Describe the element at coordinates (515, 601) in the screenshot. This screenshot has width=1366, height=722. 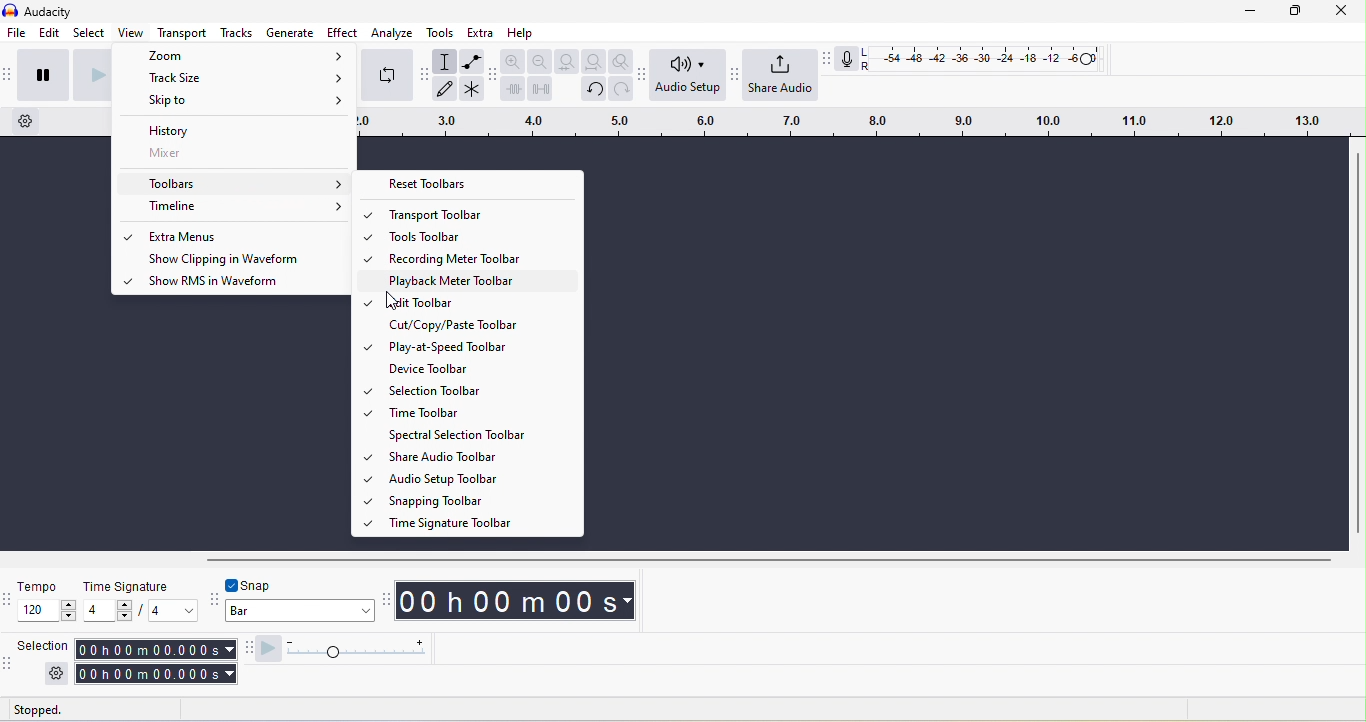
I see `timestamp` at that location.